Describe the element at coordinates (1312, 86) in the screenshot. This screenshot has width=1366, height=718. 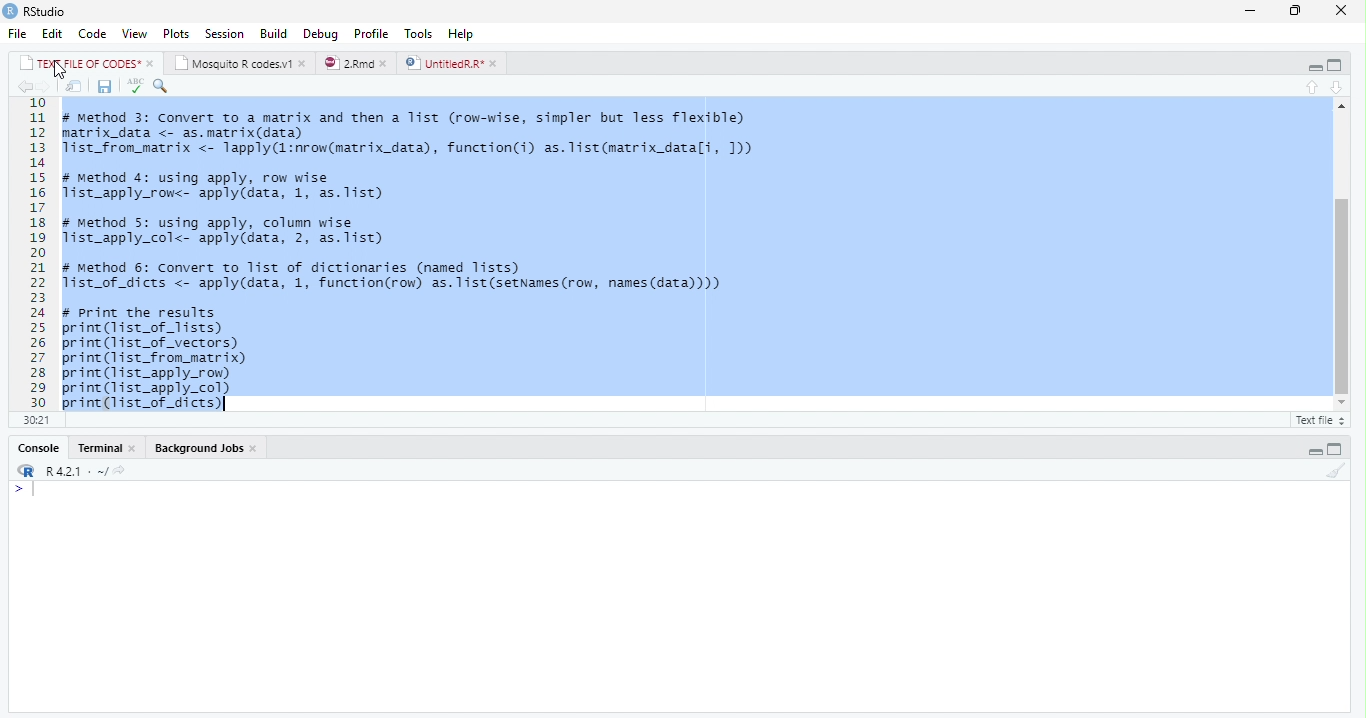
I see `Previous section` at that location.